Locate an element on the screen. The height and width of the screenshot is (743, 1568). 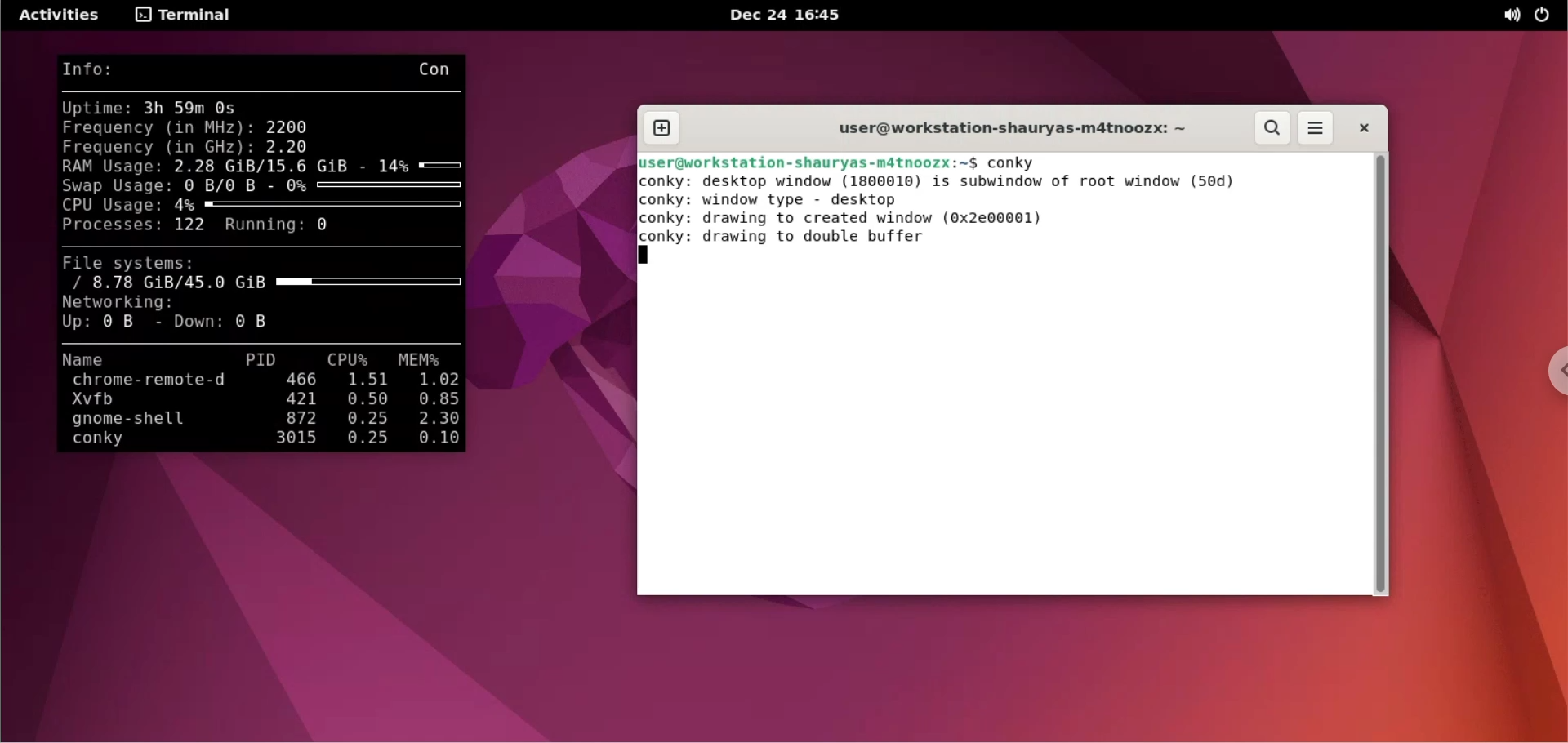
running: is located at coordinates (262, 225).